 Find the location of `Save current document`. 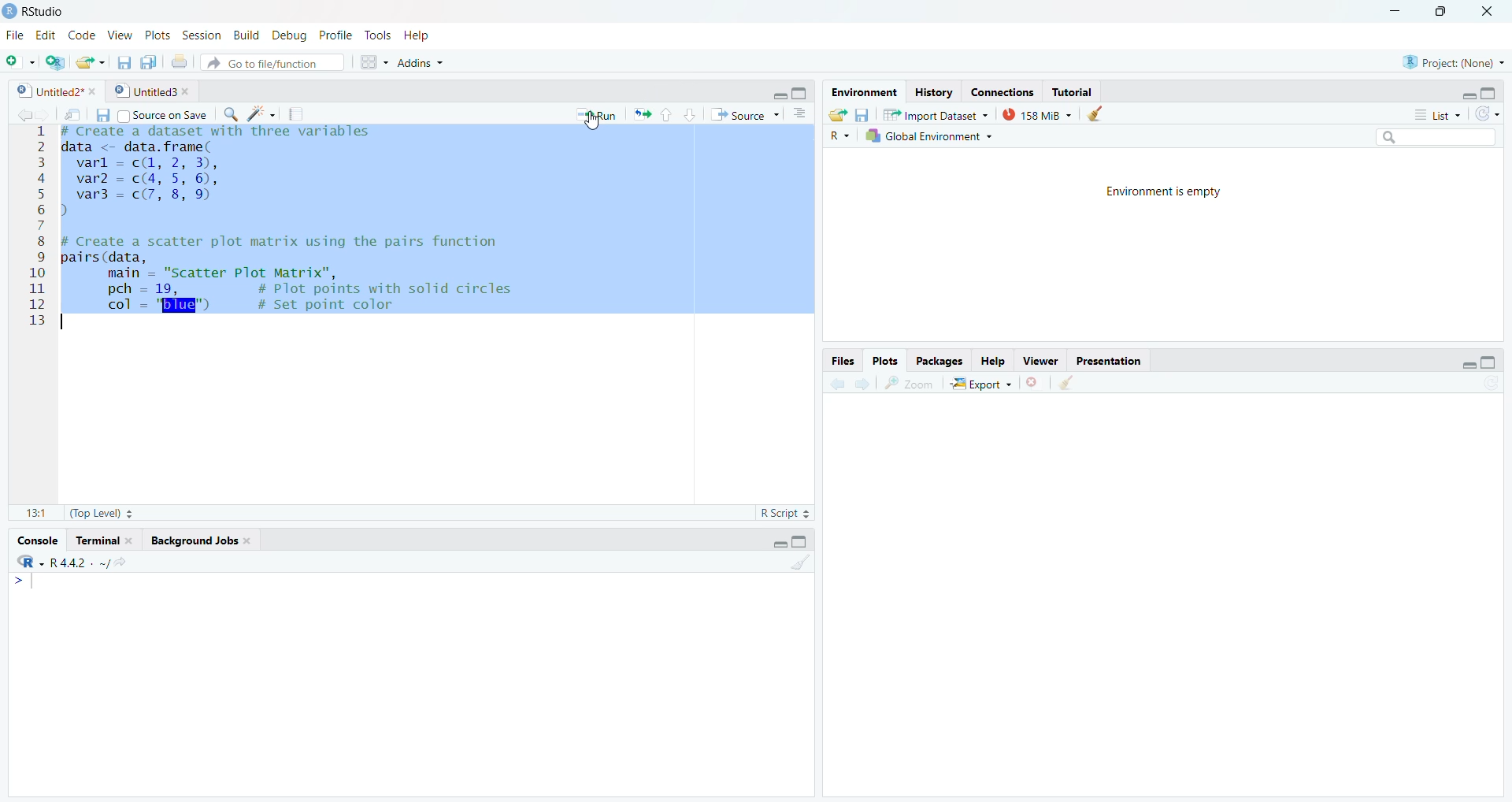

Save current document is located at coordinates (124, 60).